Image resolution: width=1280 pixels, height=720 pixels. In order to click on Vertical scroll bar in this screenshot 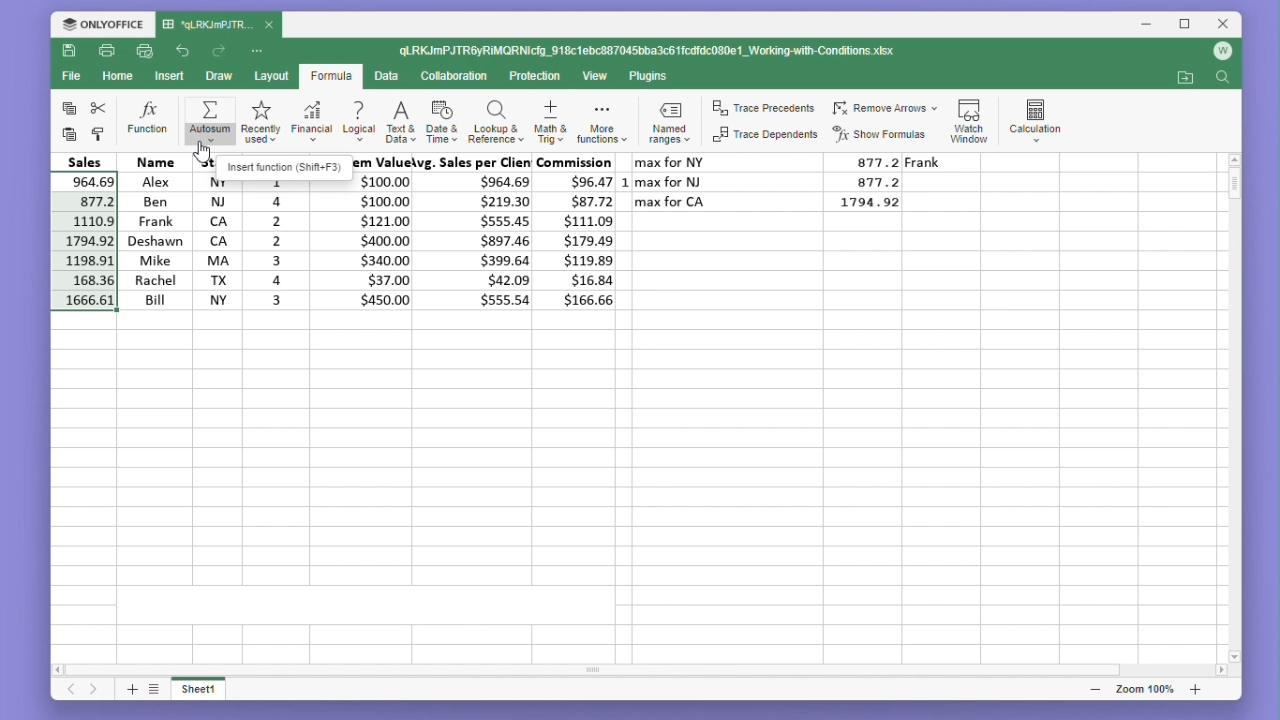, I will do `click(1234, 403)`.